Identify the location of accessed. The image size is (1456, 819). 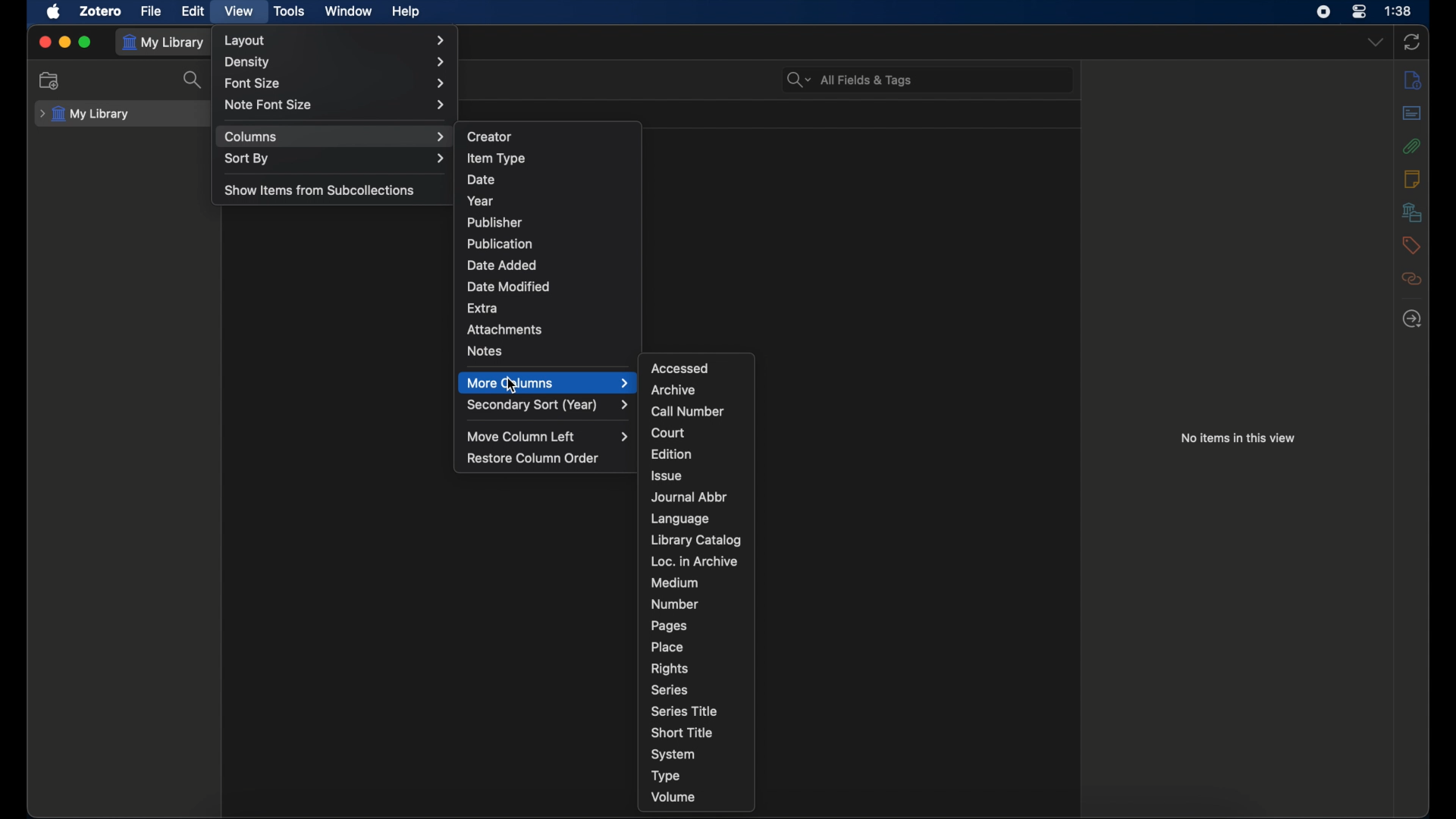
(681, 368).